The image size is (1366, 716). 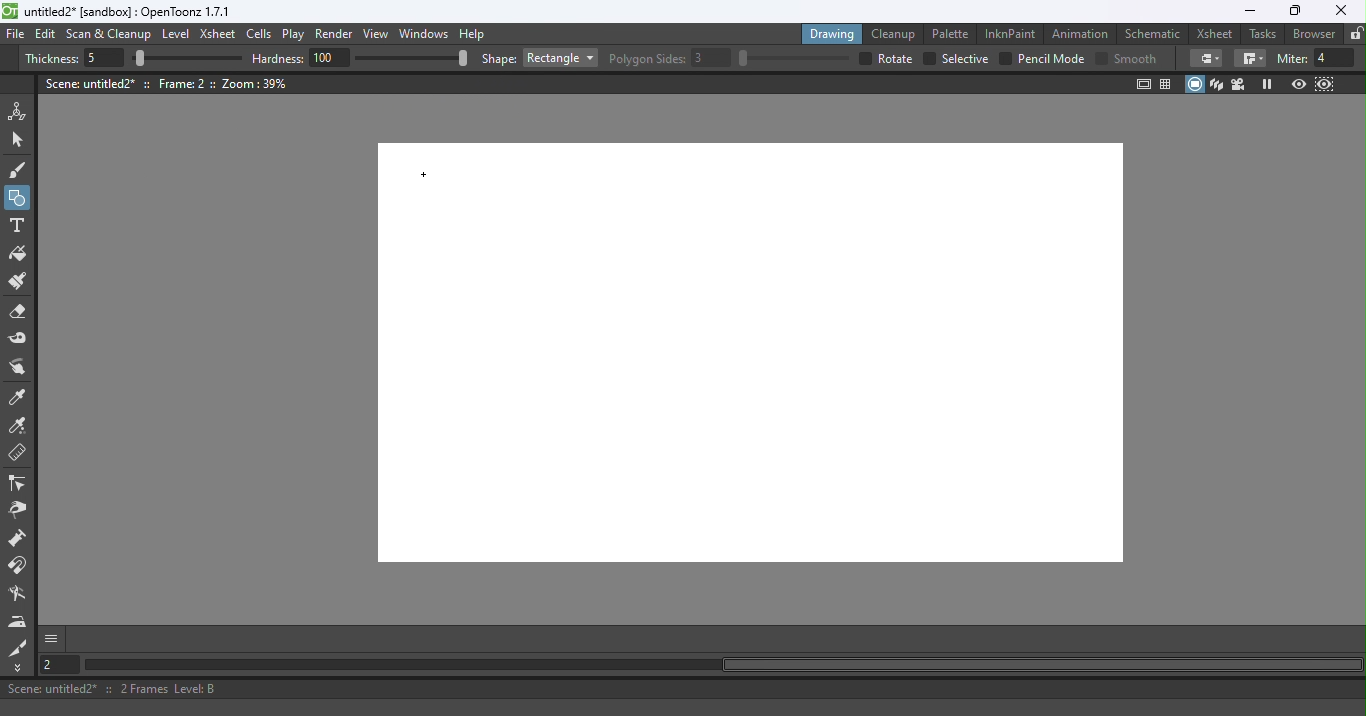 I want to click on View, so click(x=379, y=36).